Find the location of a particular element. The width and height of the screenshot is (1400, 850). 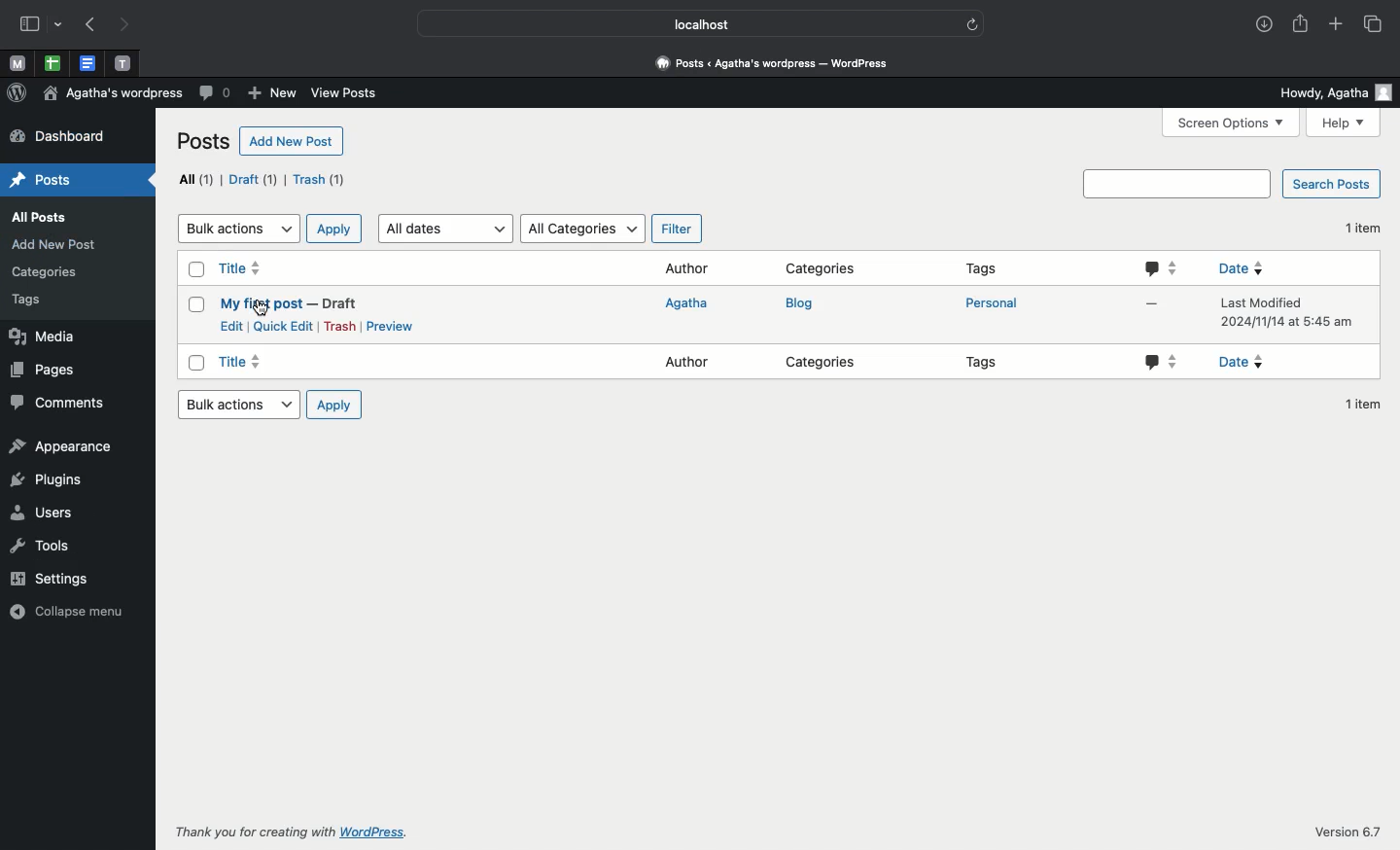

New is located at coordinates (273, 93).